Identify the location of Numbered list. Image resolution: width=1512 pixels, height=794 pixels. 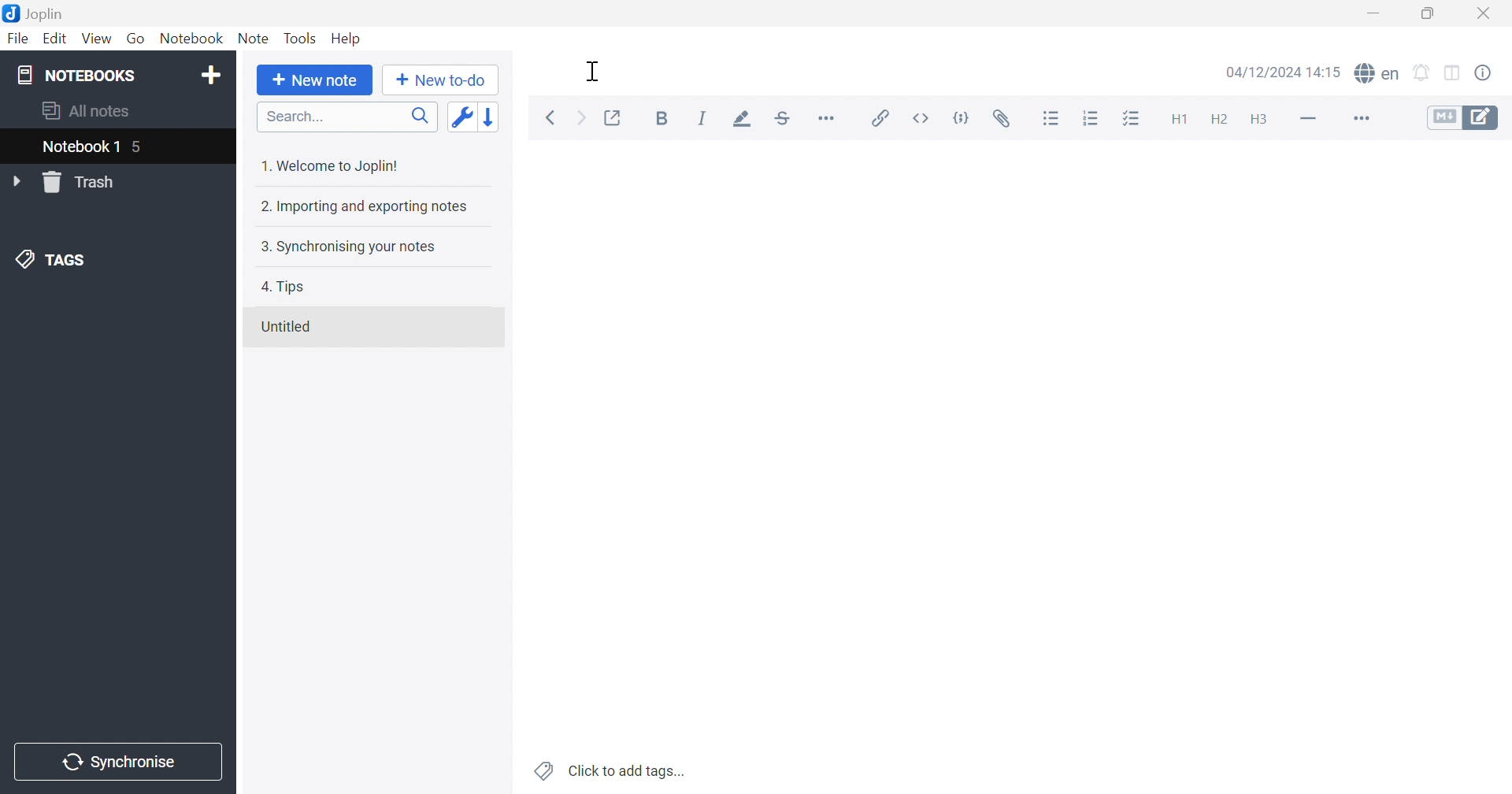
(1092, 118).